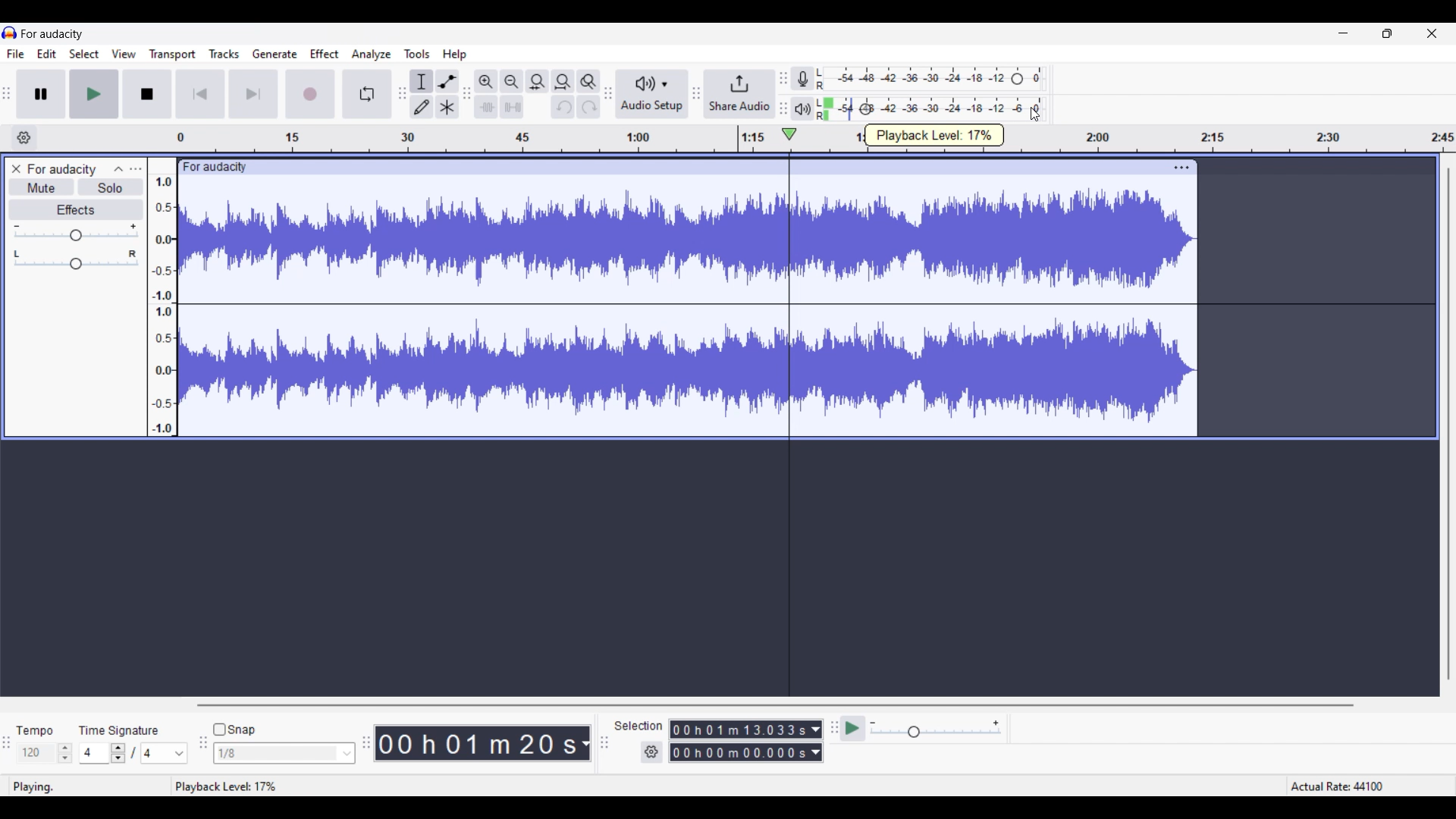 Image resolution: width=1456 pixels, height=819 pixels. I want to click on Stop, so click(146, 94).